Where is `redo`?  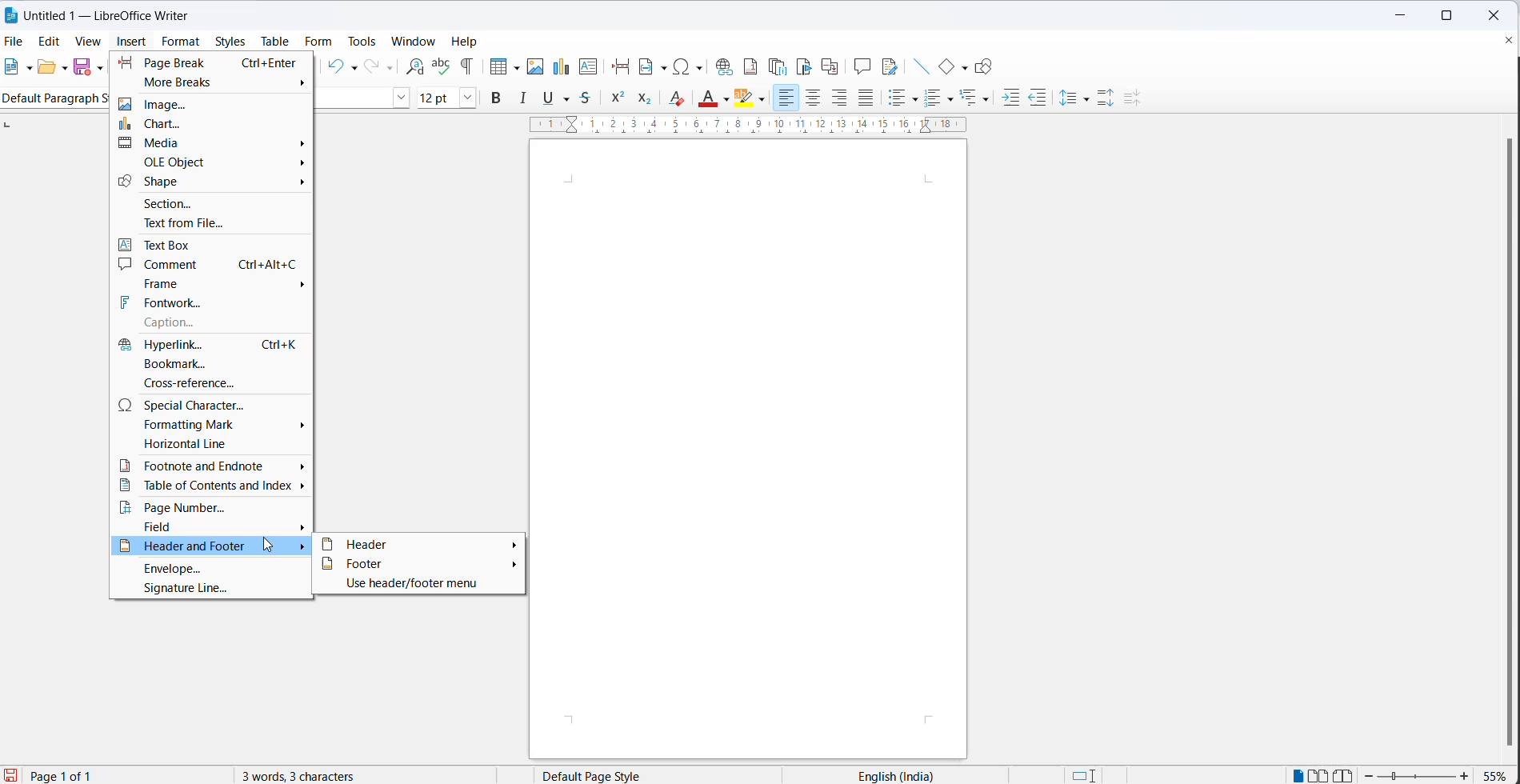
redo is located at coordinates (371, 64).